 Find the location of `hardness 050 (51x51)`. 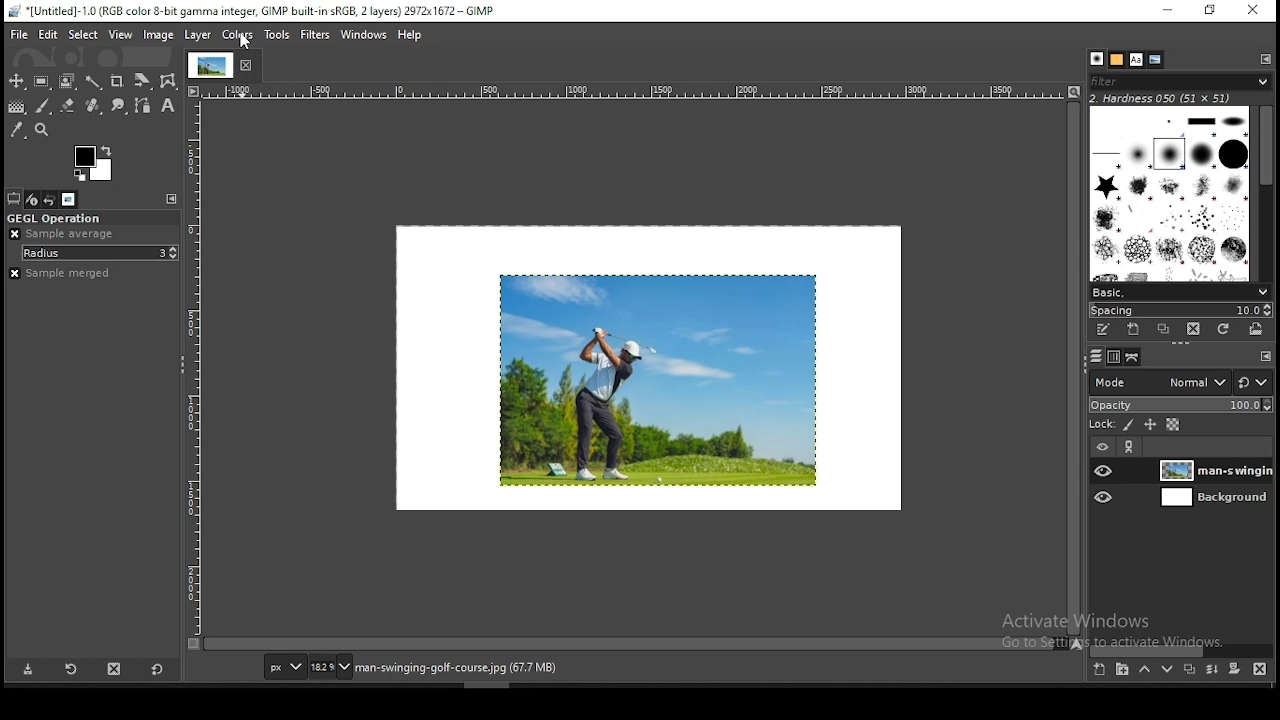

hardness 050 (51x51) is located at coordinates (1182, 99).